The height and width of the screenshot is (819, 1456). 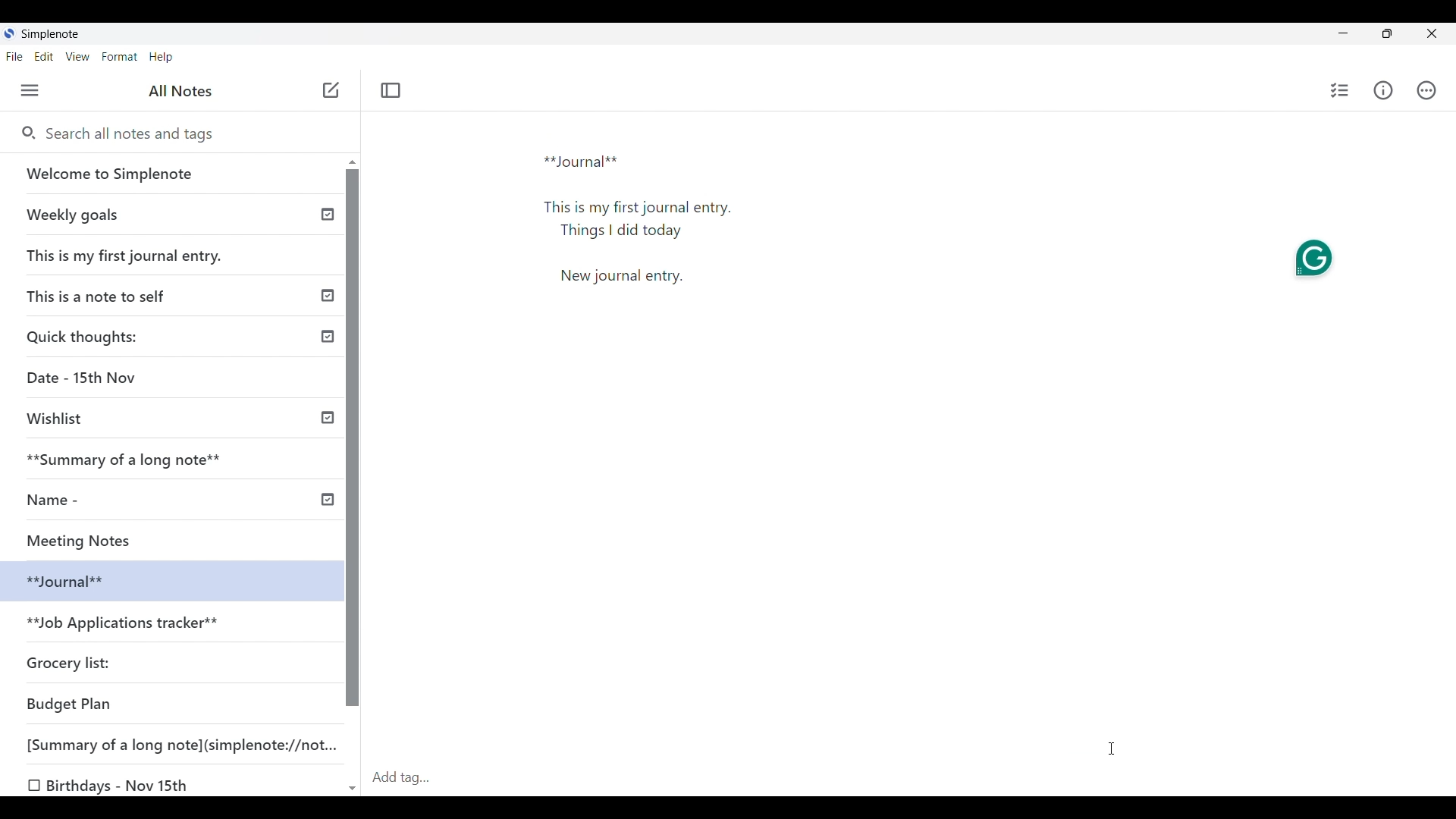 I want to click on Close interface, so click(x=1431, y=33).